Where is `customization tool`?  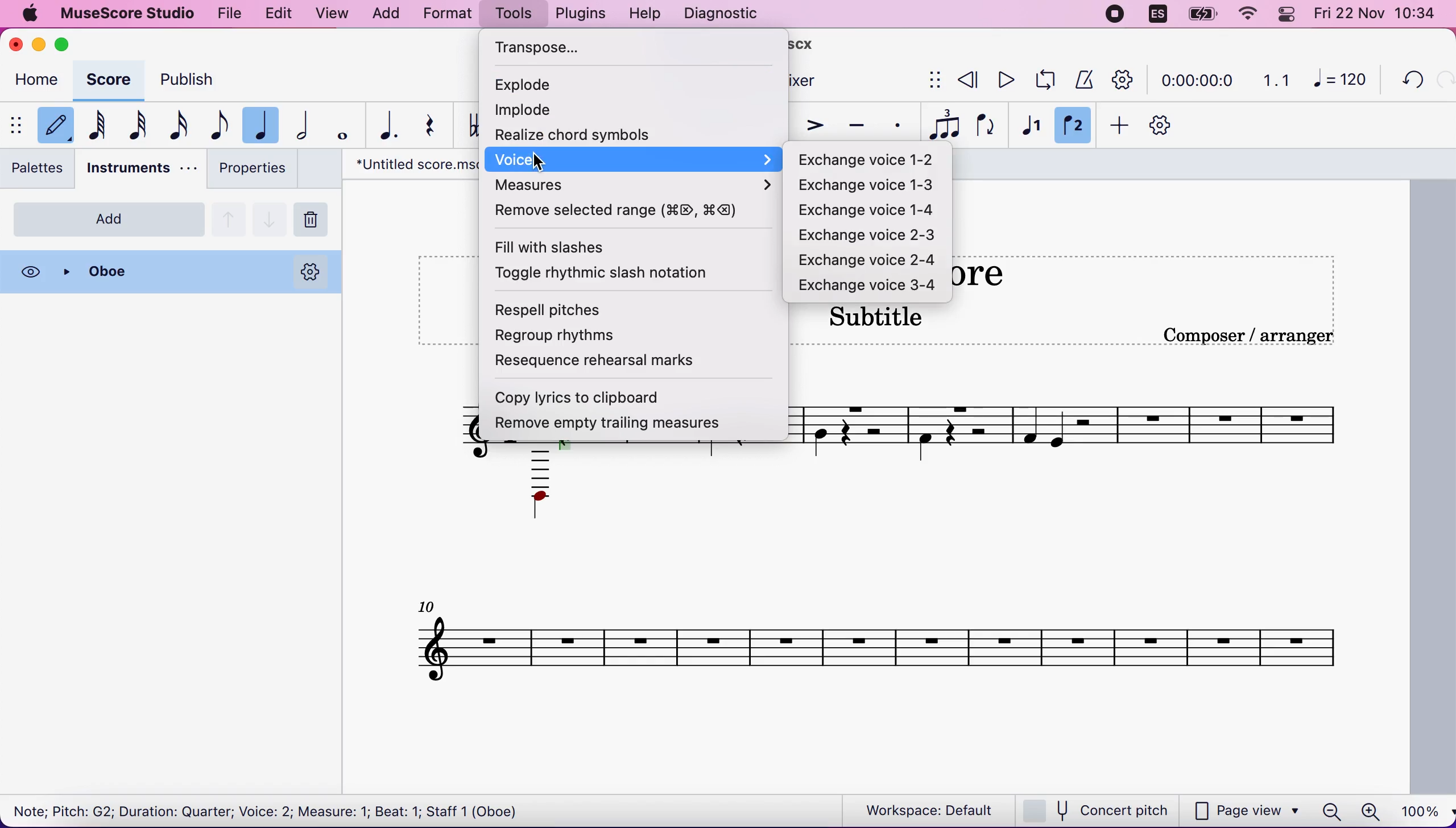
customization tool is located at coordinates (1166, 123).